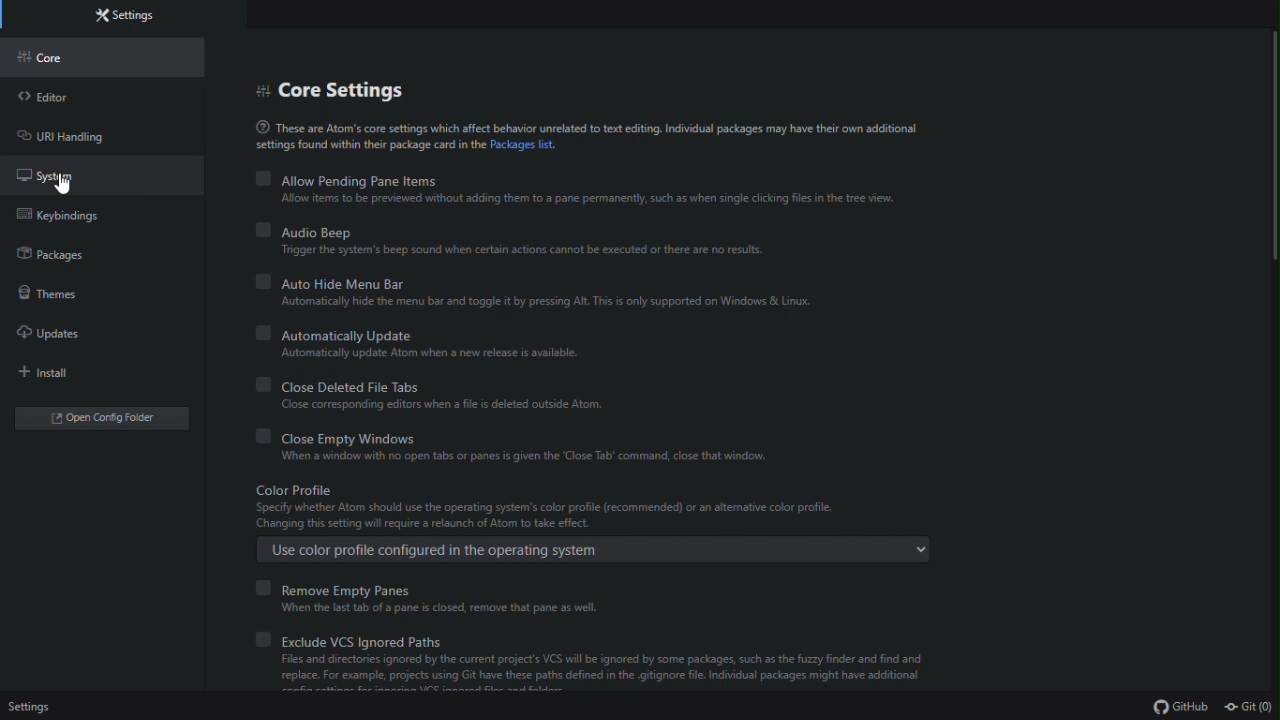 Image resolution: width=1280 pixels, height=720 pixels. What do you see at coordinates (1250, 705) in the screenshot?
I see `Git` at bounding box center [1250, 705].